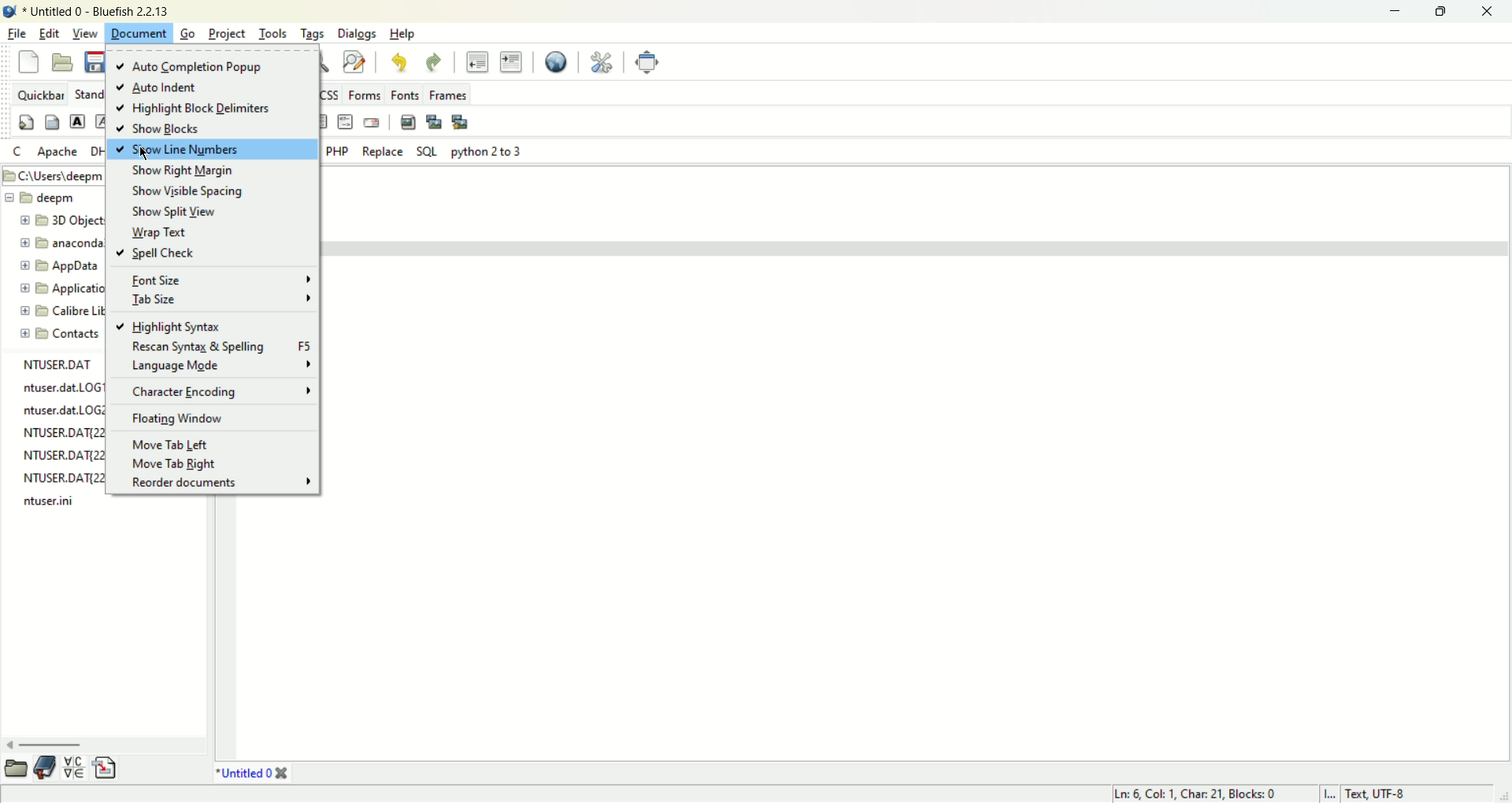 The image size is (1512, 803). What do you see at coordinates (59, 430) in the screenshot?
I see `NTUSER.DAT{2:` at bounding box center [59, 430].